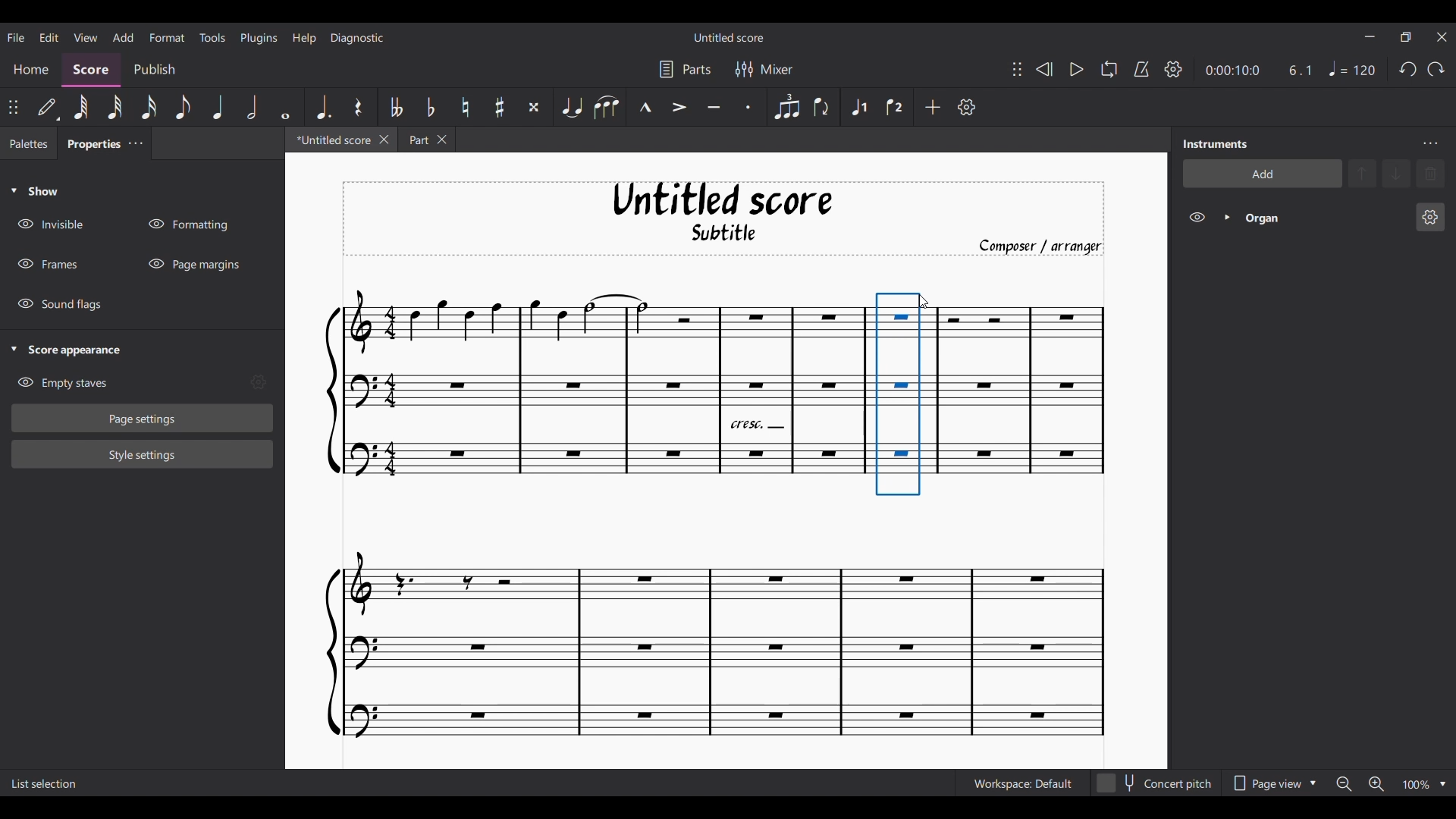  Describe the element at coordinates (1416, 785) in the screenshot. I see `Zoom factor` at that location.